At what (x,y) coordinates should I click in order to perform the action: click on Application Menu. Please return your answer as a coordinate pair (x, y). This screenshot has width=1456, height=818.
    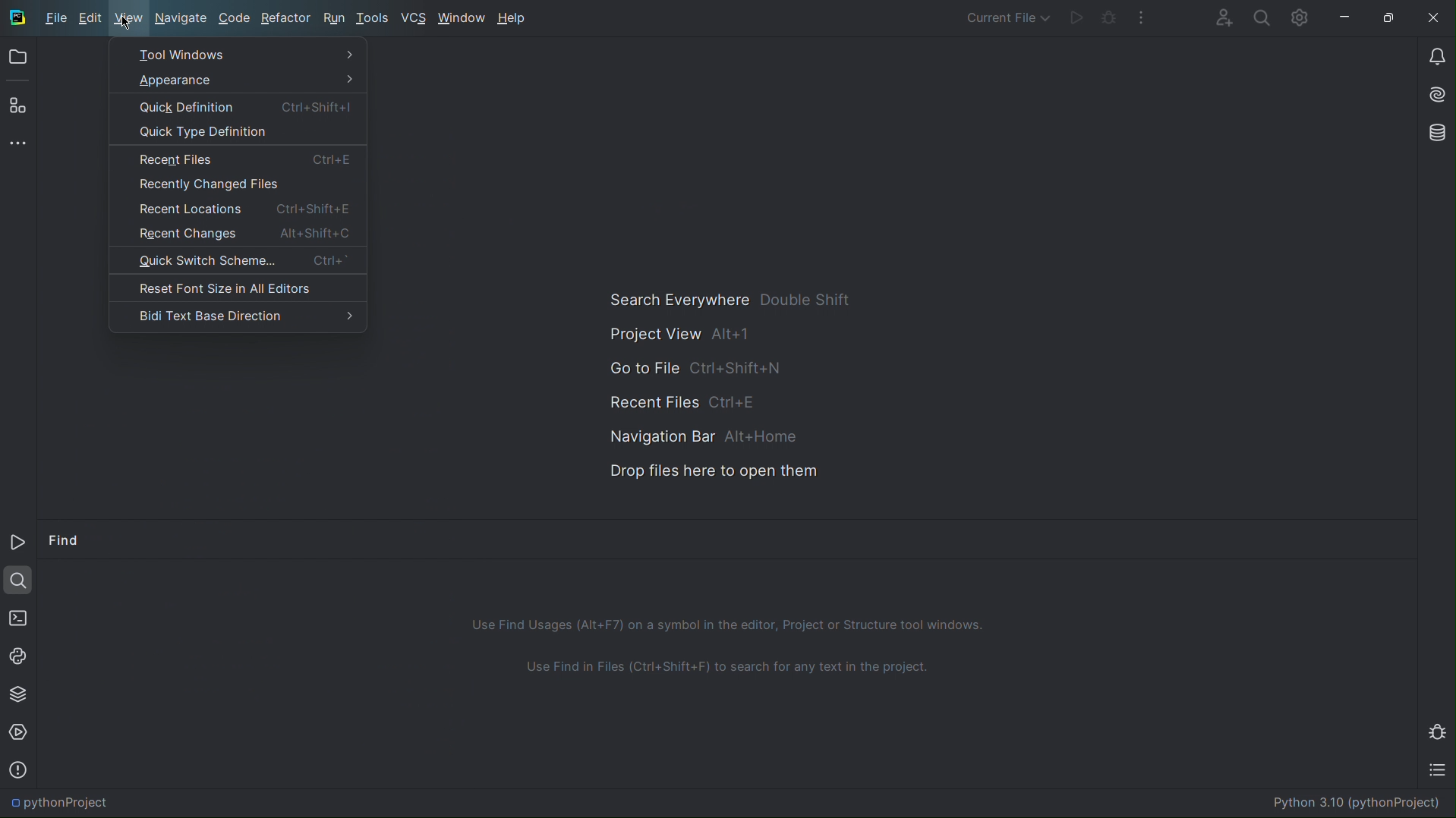
    Looking at the image, I should click on (52, 16).